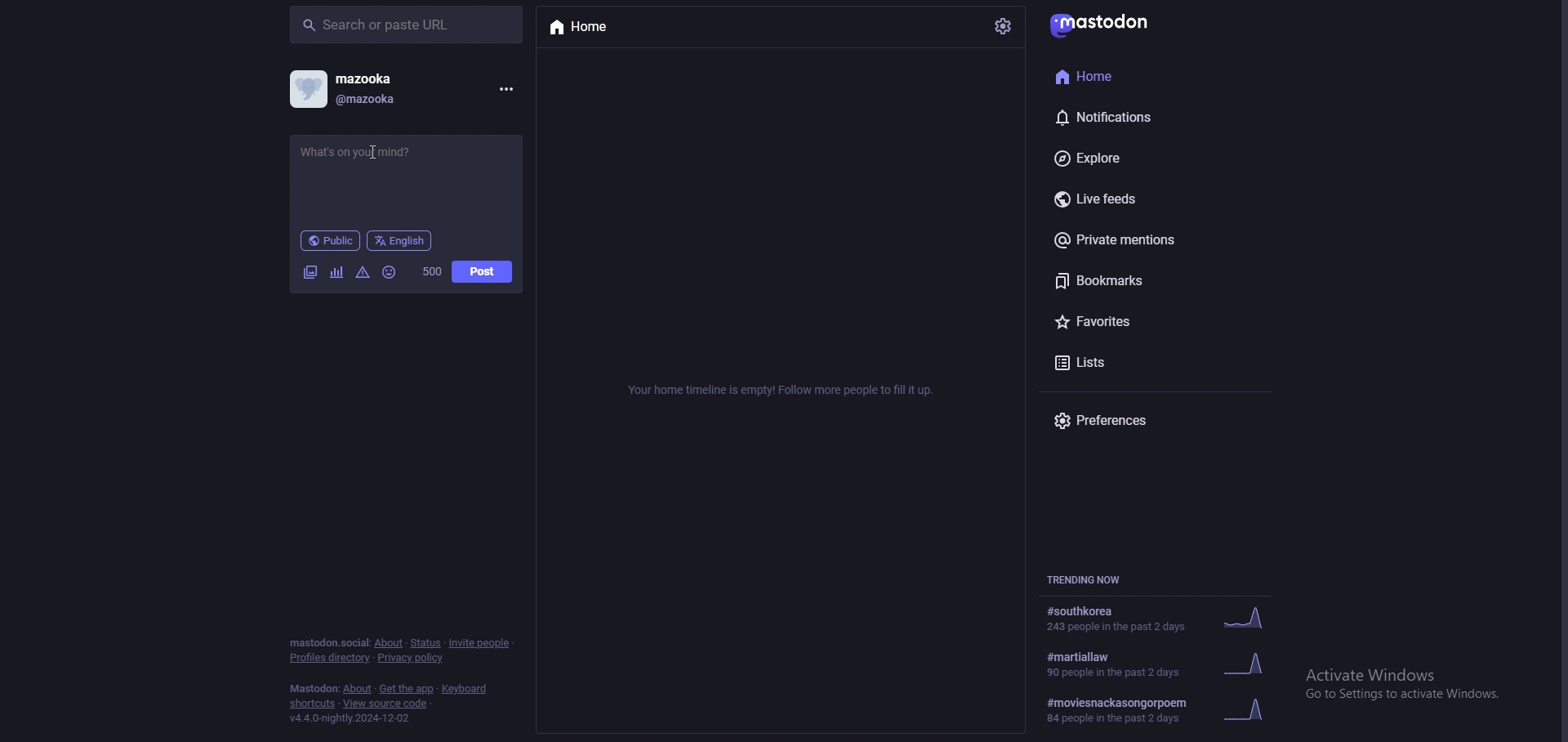 The height and width of the screenshot is (742, 1568). What do you see at coordinates (1131, 322) in the screenshot?
I see `favorites` at bounding box center [1131, 322].